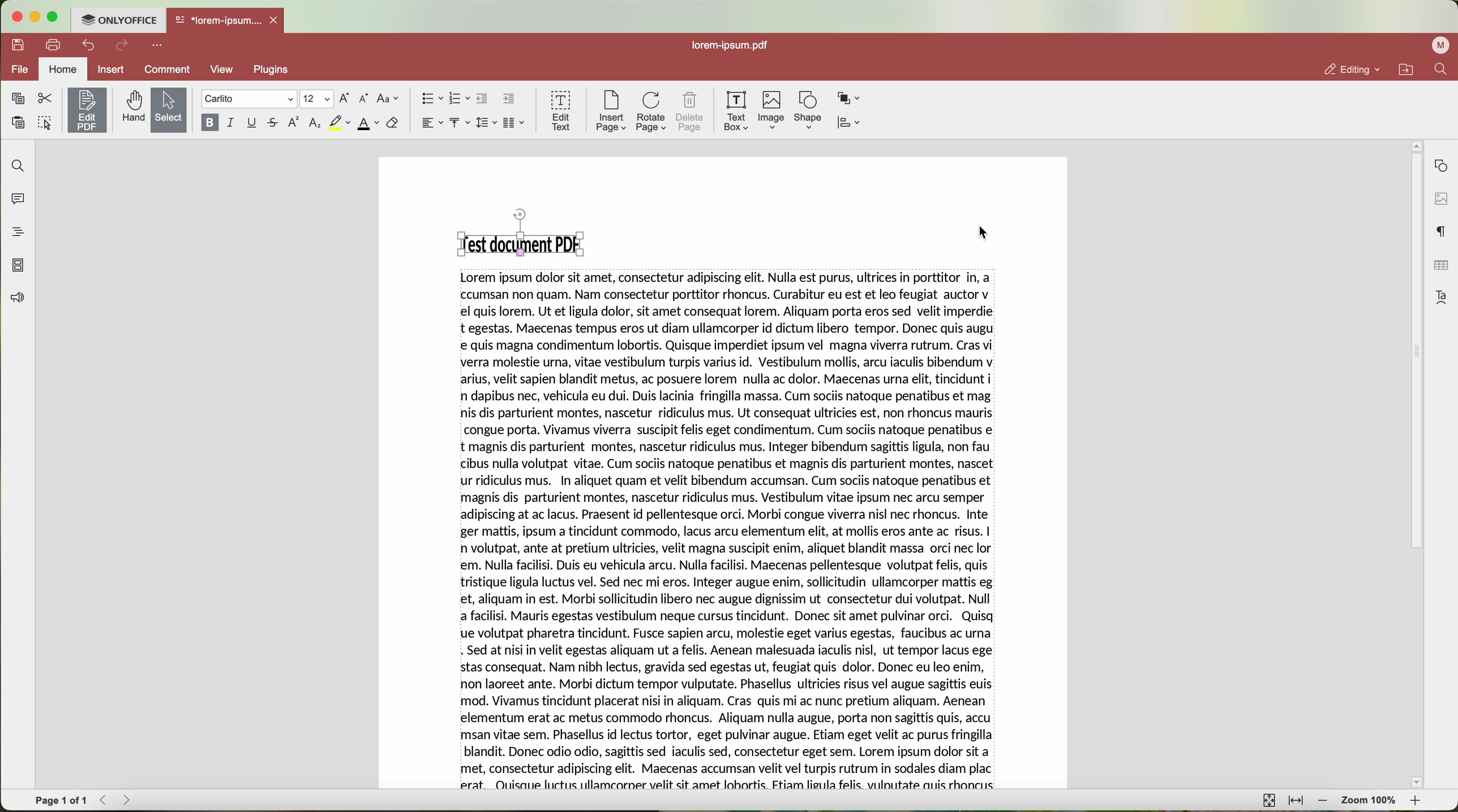  What do you see at coordinates (131, 108) in the screenshot?
I see `hand` at bounding box center [131, 108].